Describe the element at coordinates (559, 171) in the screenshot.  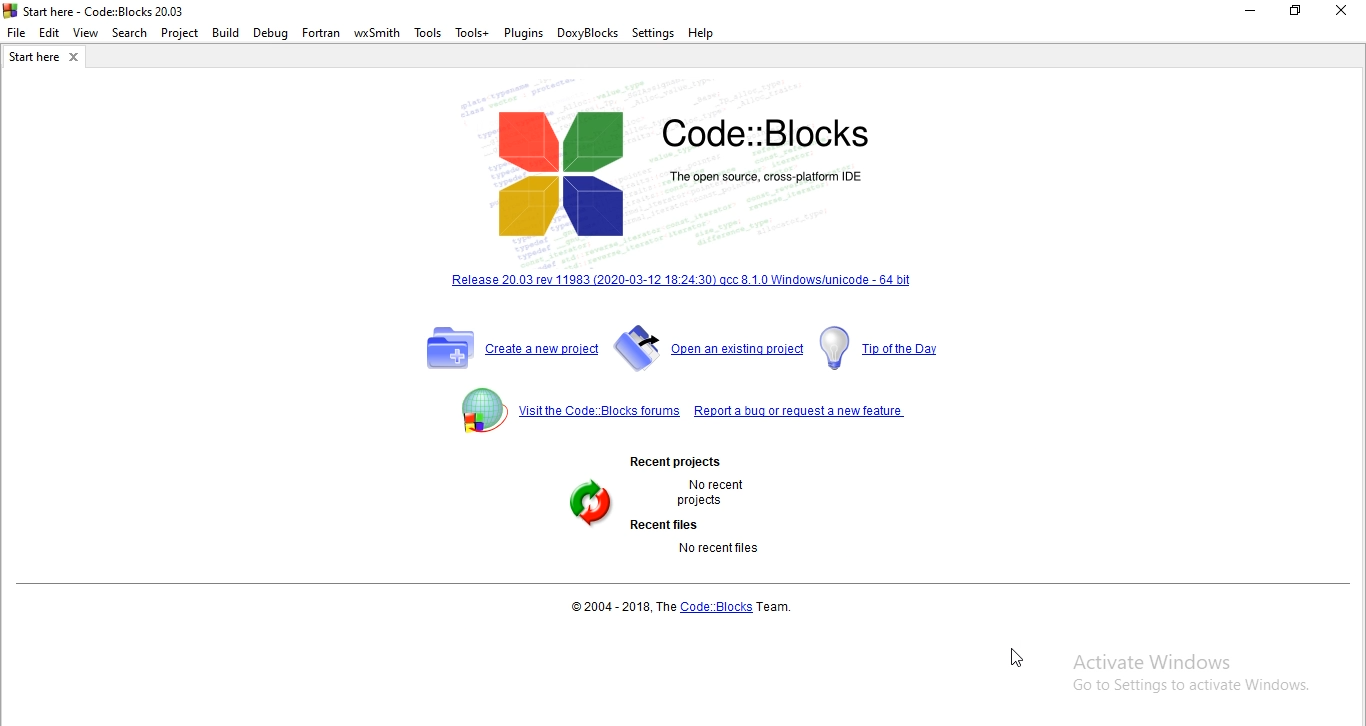
I see `Logo` at that location.